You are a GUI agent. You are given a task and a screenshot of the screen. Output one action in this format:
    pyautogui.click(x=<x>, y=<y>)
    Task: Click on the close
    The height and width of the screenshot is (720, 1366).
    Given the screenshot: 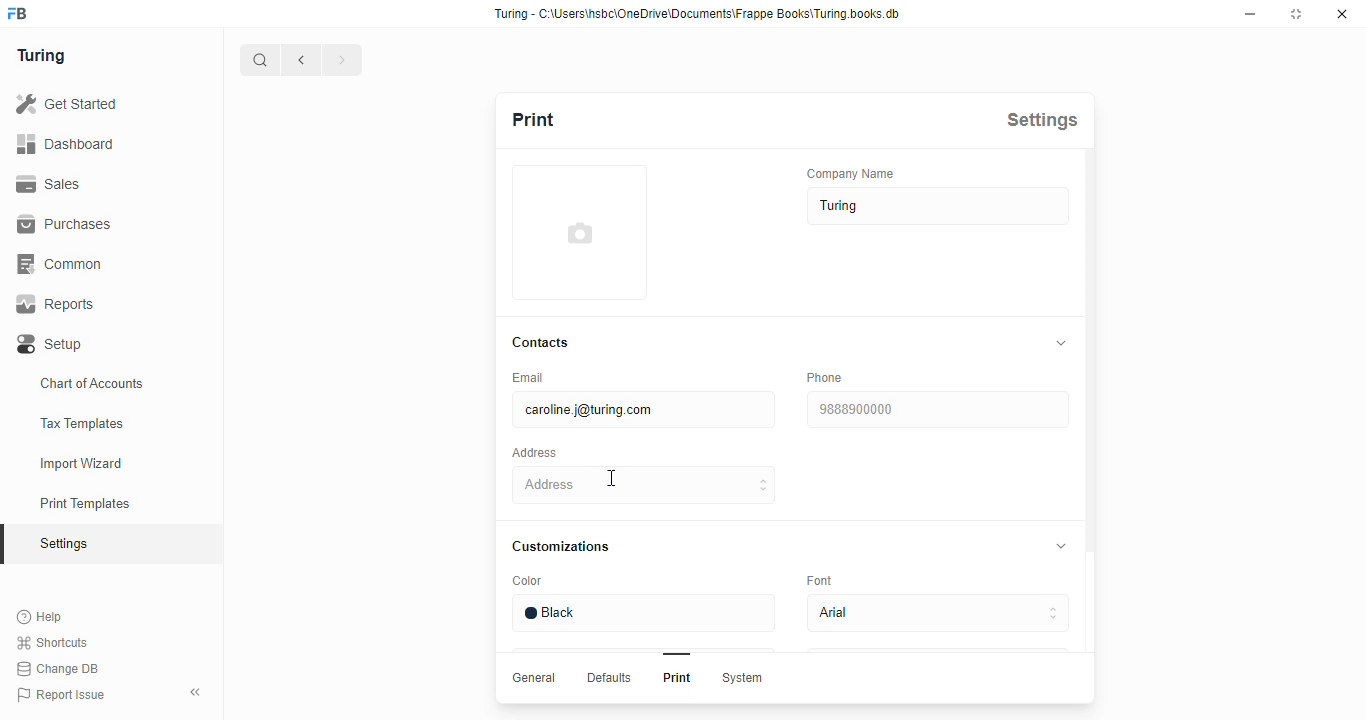 What is the action you would take?
    pyautogui.click(x=1342, y=14)
    